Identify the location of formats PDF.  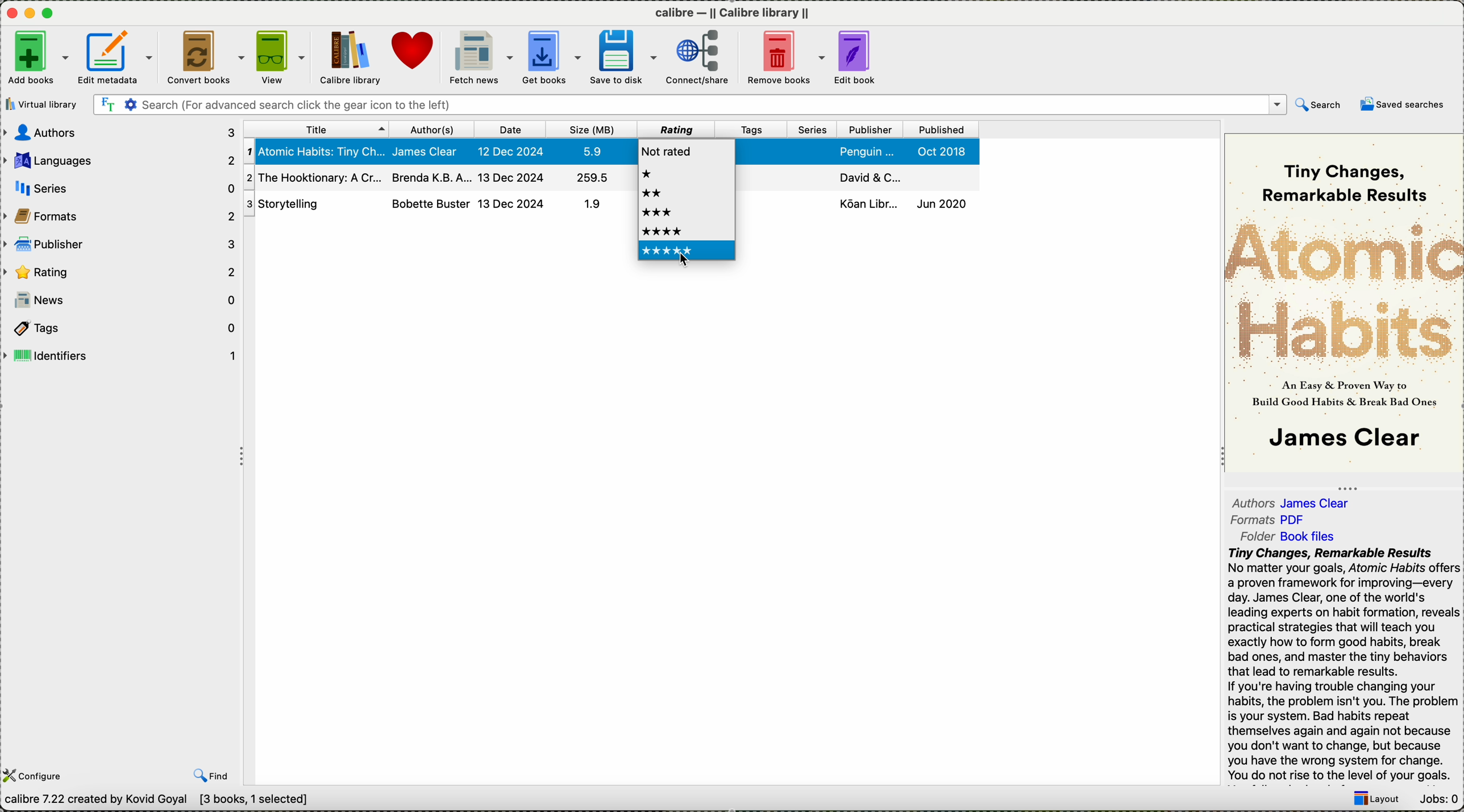
(1250, 520).